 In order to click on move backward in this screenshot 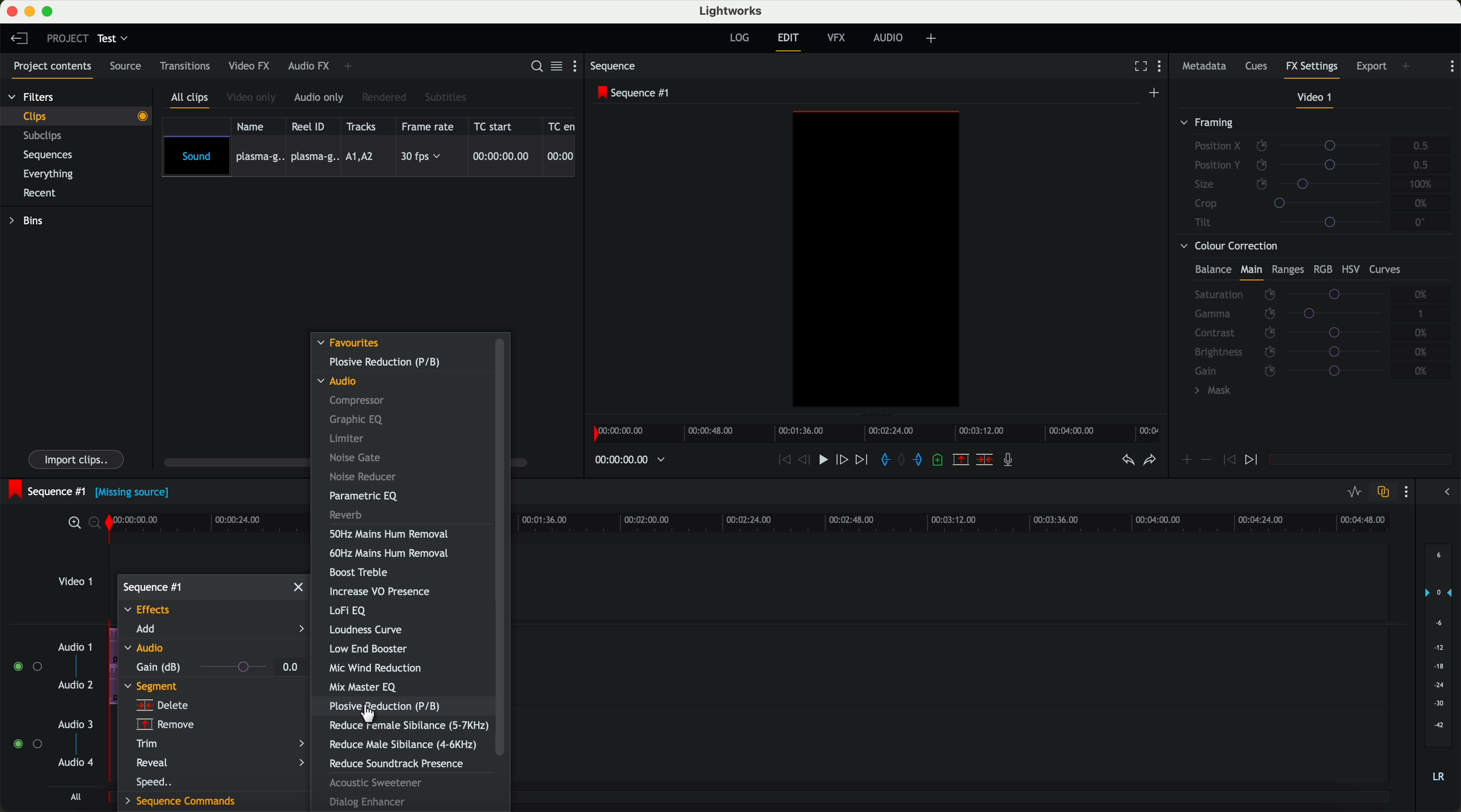, I will do `click(782, 460)`.